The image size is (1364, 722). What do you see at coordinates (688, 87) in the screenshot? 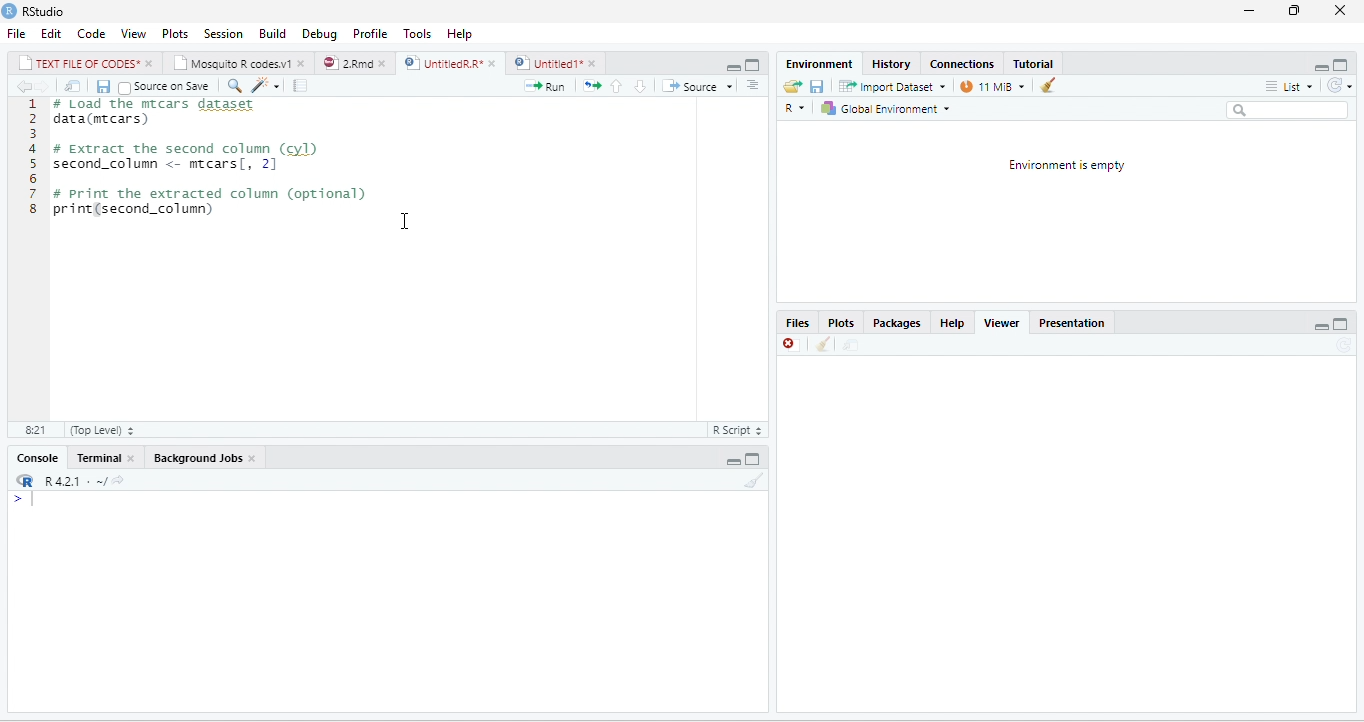
I see `source` at bounding box center [688, 87].